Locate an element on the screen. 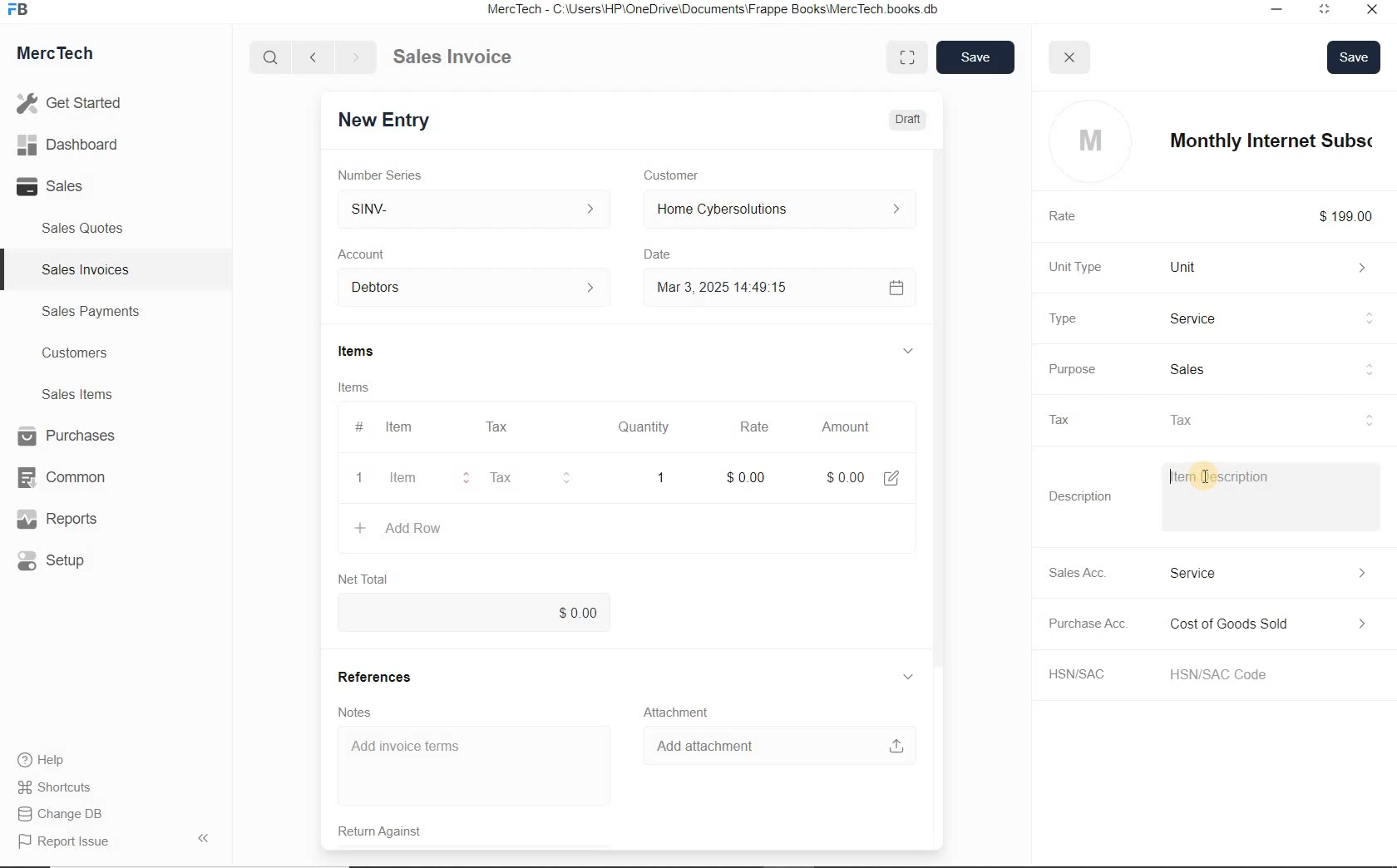 Image resolution: width=1397 pixels, height=868 pixels. Purchases is located at coordinates (69, 437).